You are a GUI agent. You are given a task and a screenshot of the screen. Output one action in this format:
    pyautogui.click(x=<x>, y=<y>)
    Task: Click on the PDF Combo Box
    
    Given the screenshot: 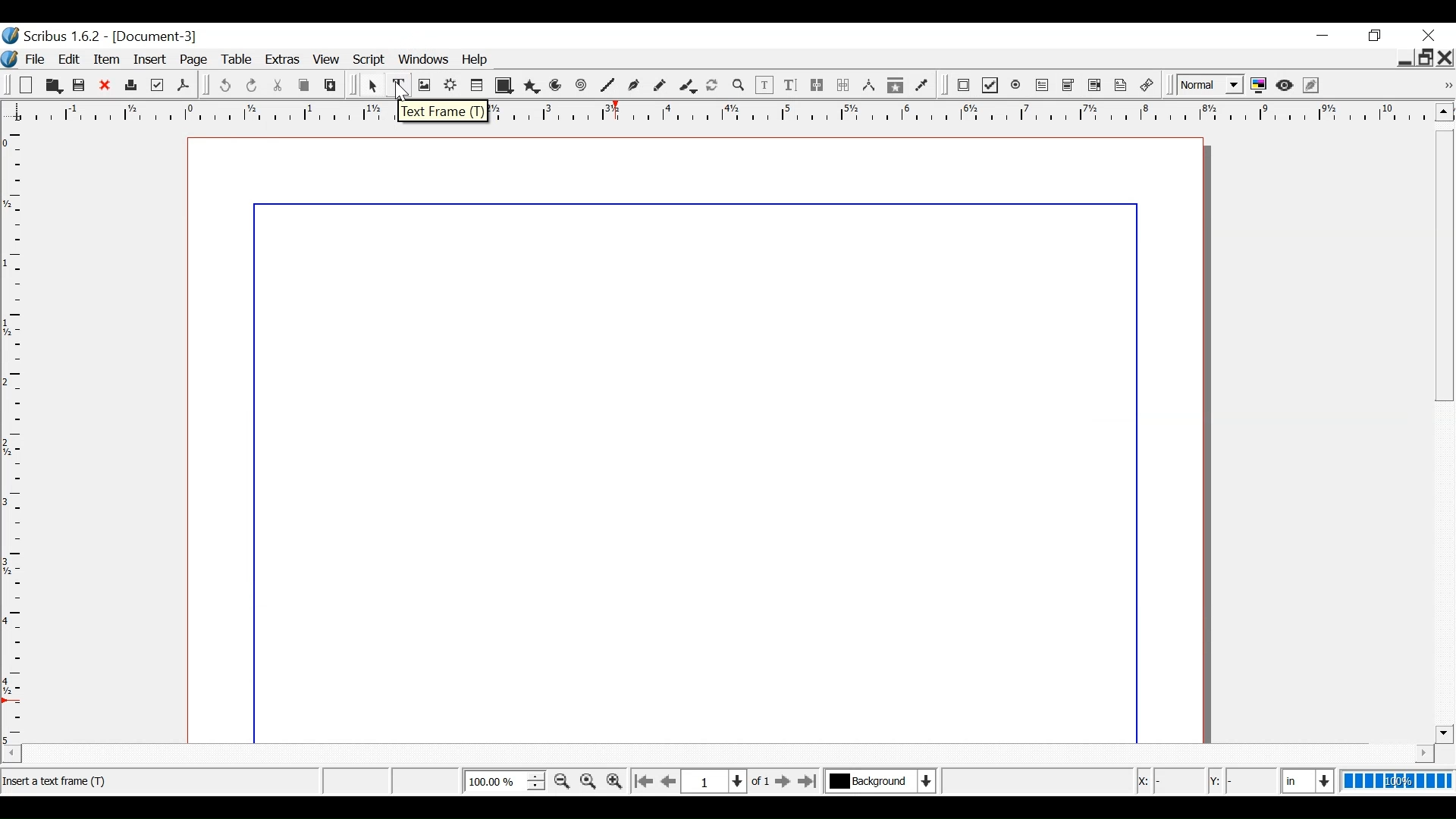 What is the action you would take?
    pyautogui.click(x=1070, y=86)
    